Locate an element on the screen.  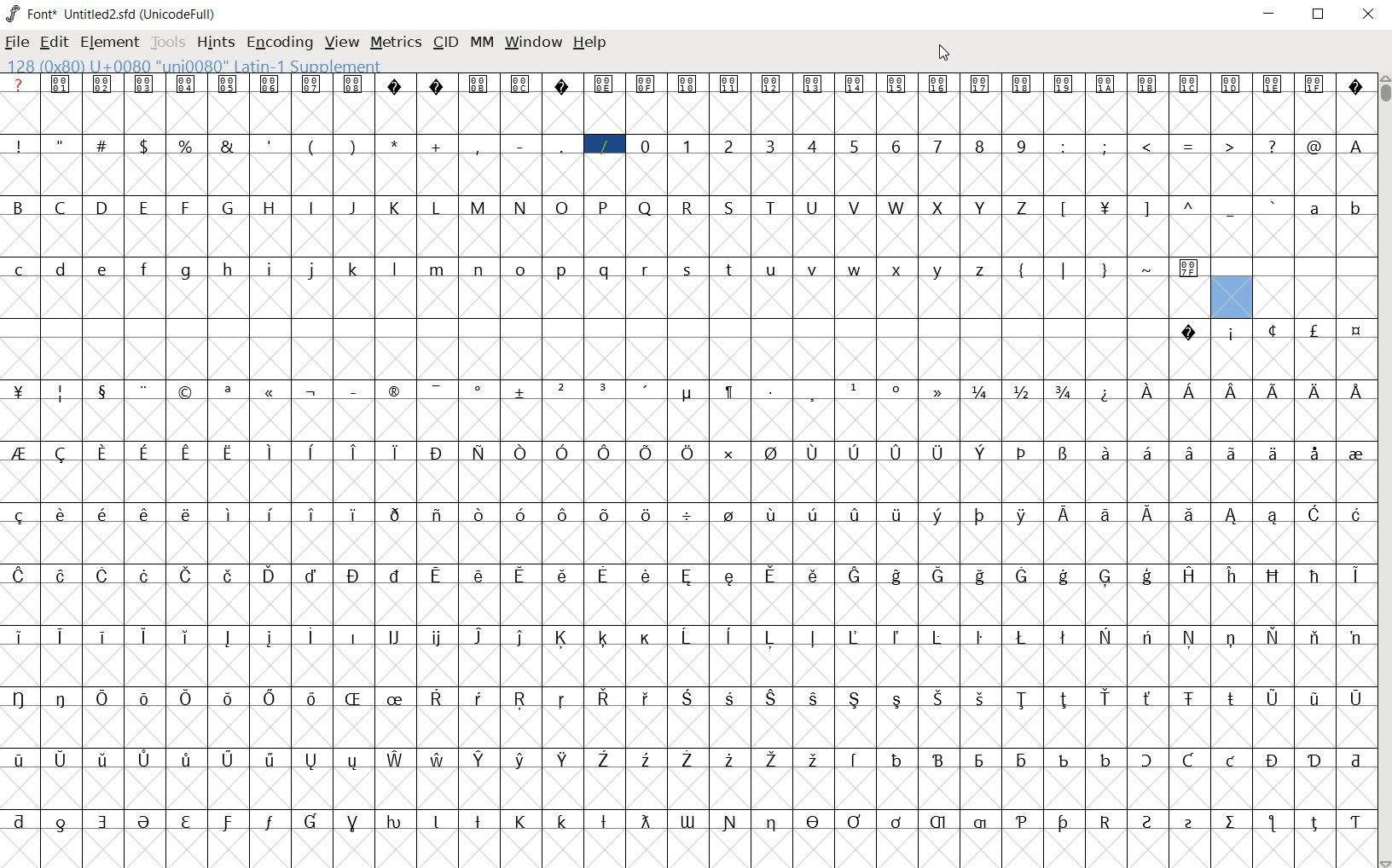
glyph is located at coordinates (352, 698).